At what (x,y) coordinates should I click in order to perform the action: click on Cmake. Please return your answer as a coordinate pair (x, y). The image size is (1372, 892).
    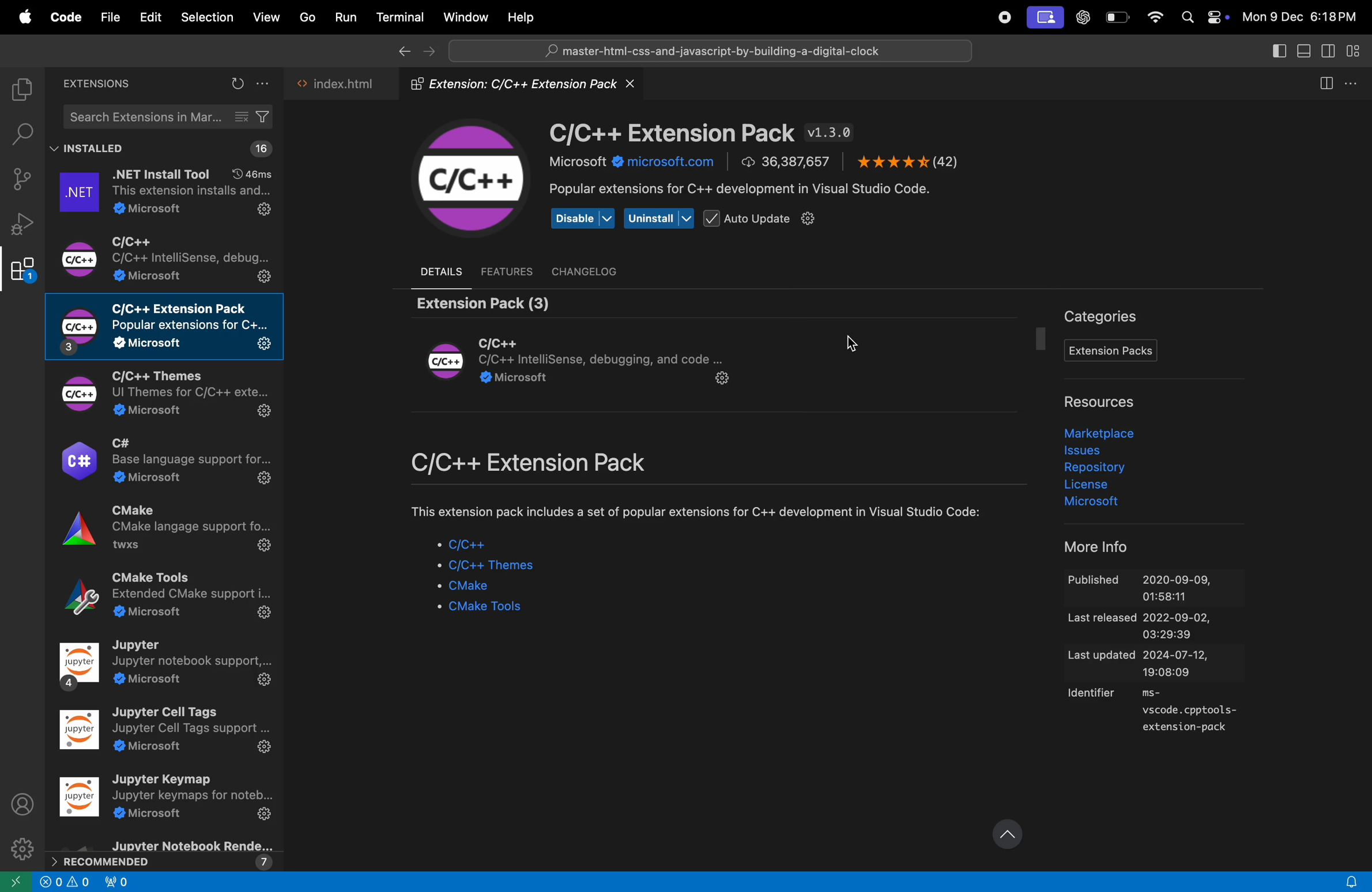
    Looking at the image, I should click on (485, 588).